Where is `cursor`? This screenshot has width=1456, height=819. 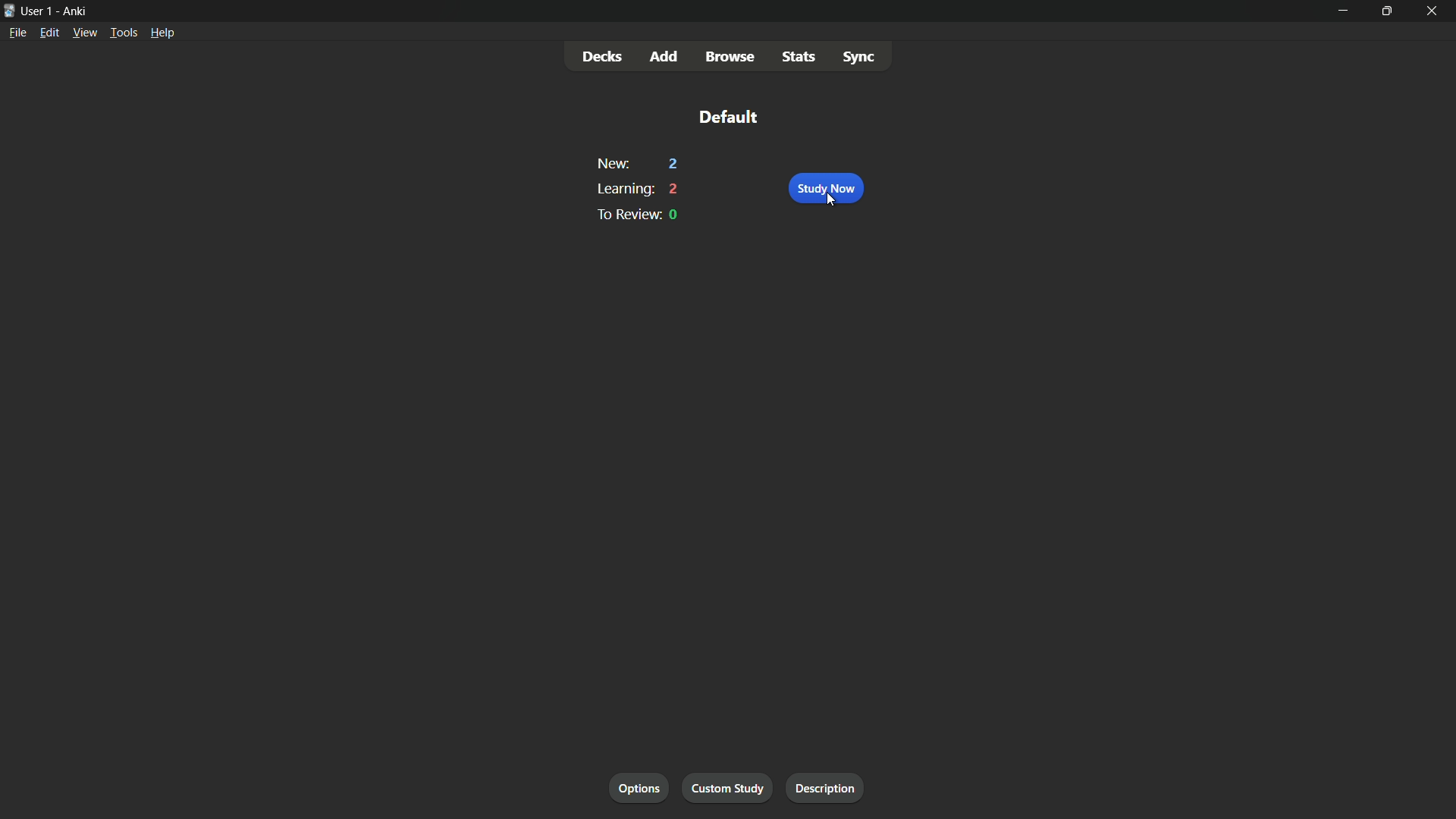 cursor is located at coordinates (836, 201).